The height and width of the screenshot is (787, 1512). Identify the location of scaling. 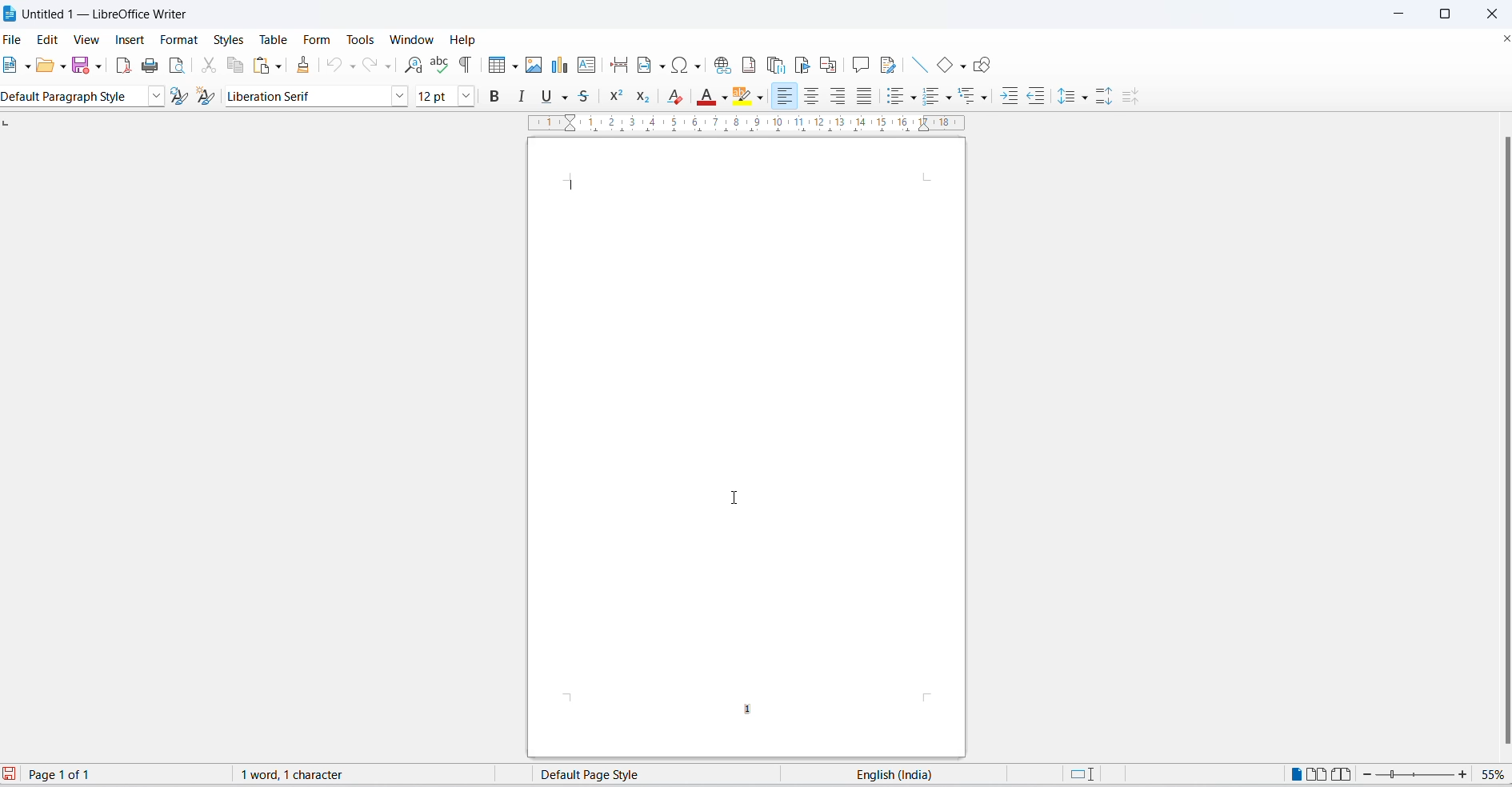
(754, 124).